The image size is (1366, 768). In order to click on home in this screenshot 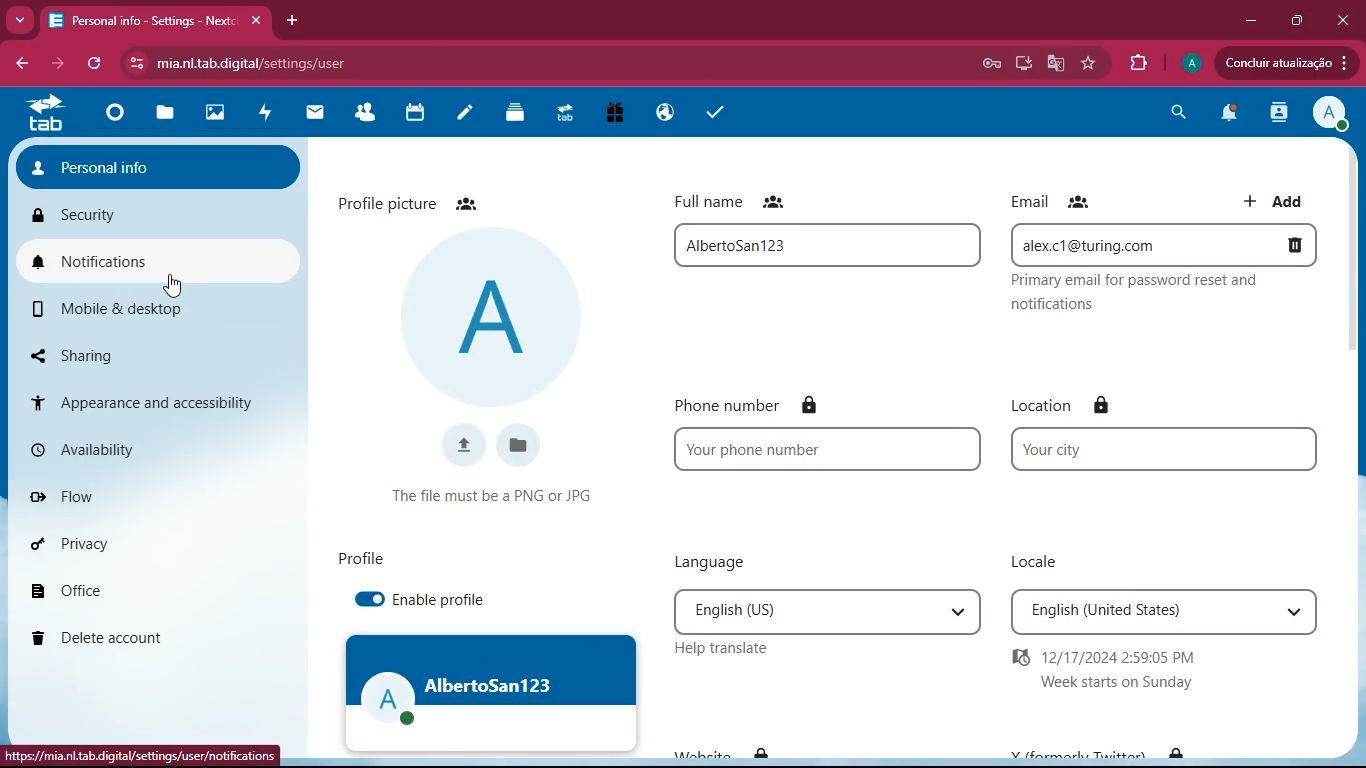, I will do `click(110, 117)`.